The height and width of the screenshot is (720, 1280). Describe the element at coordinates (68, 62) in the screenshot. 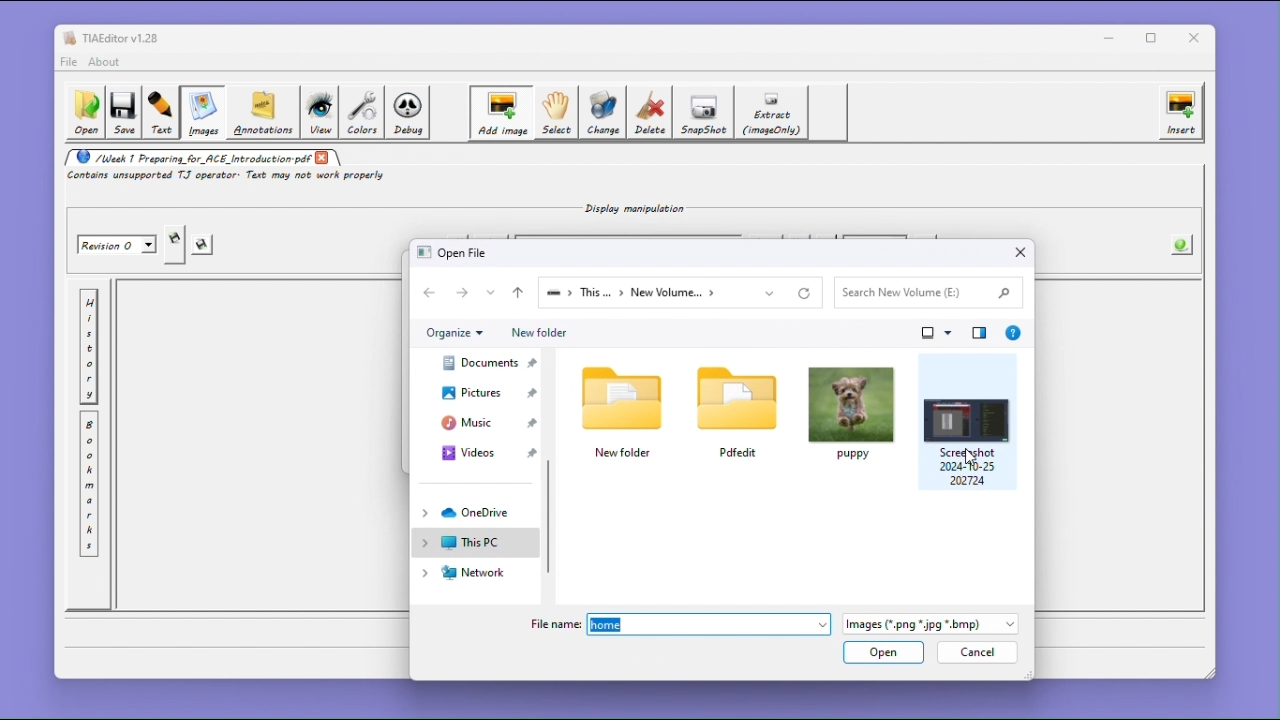

I see `file` at that location.